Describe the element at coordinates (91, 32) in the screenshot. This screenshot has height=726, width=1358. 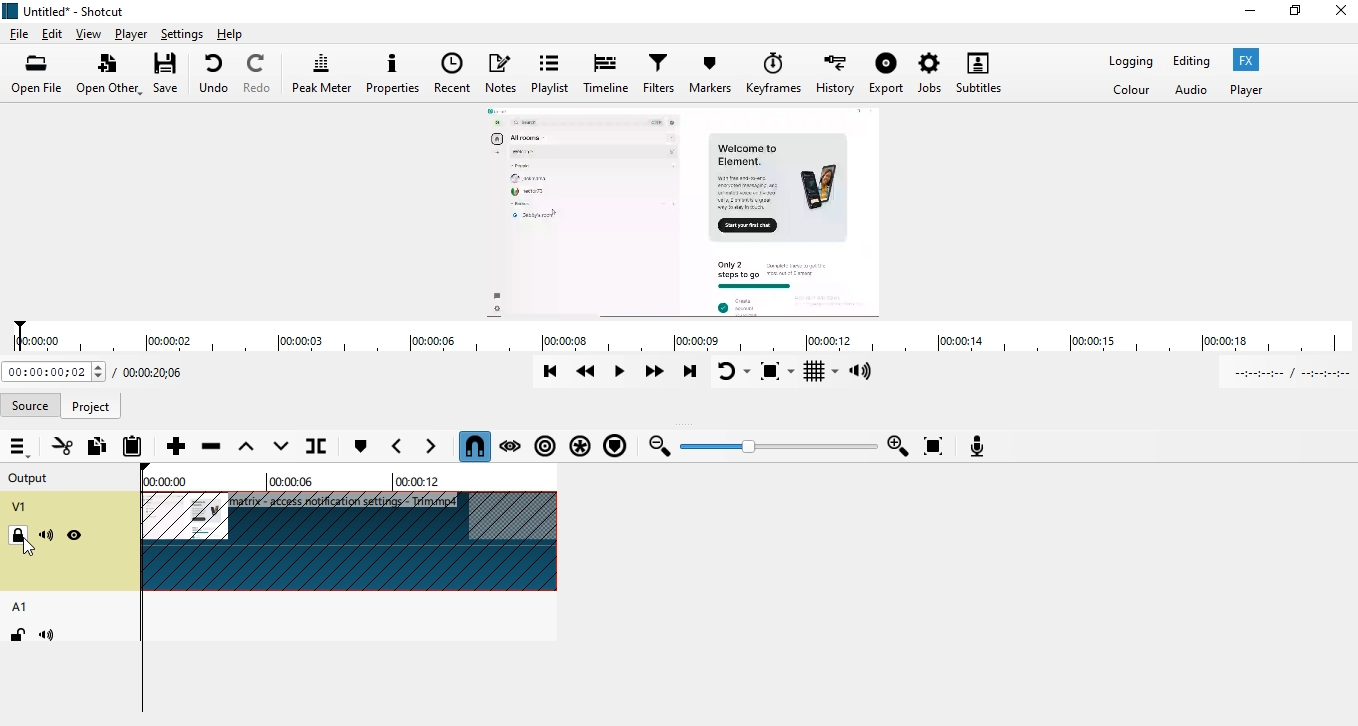
I see `view` at that location.